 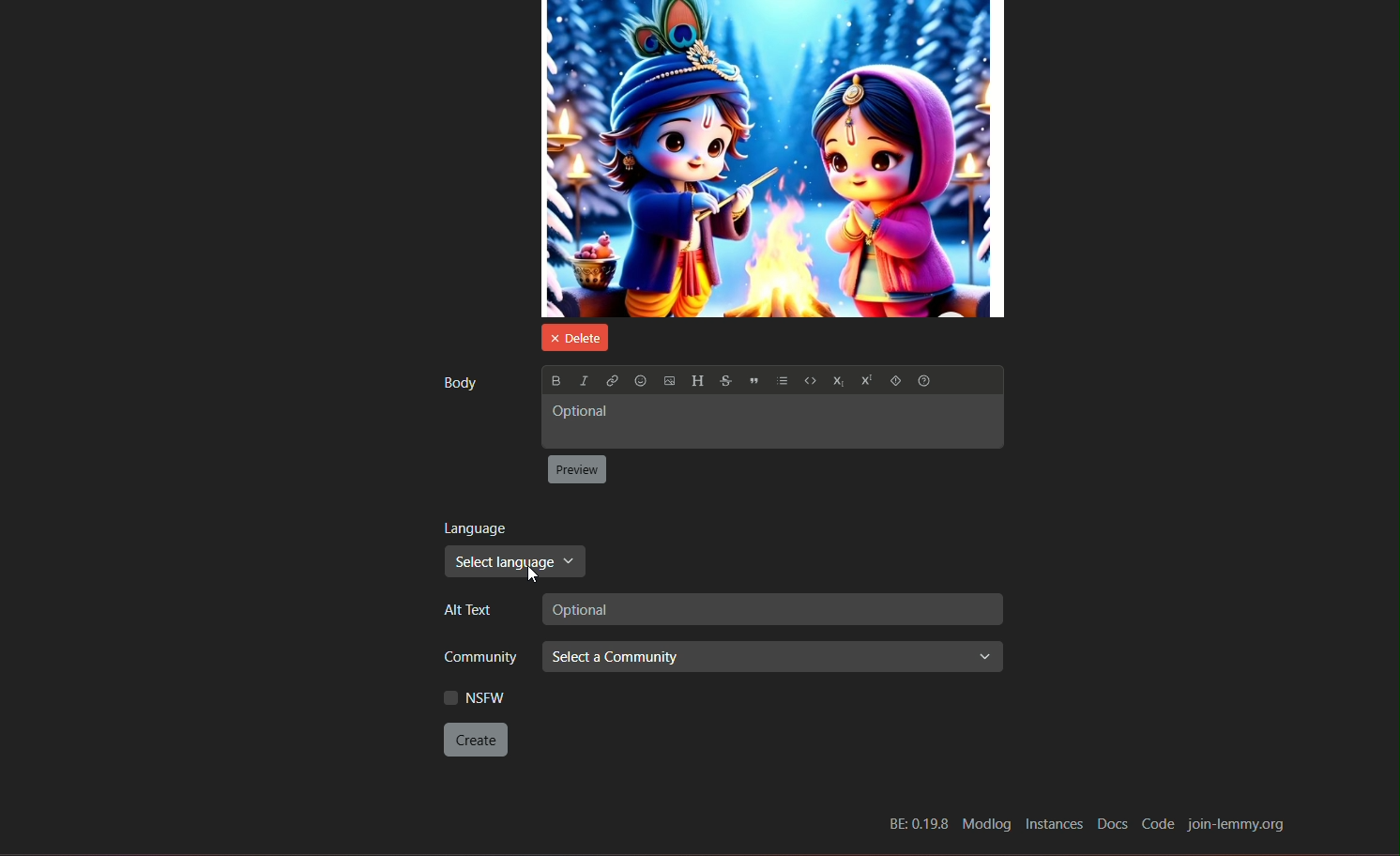 I want to click on Alt Text, so click(x=464, y=610).